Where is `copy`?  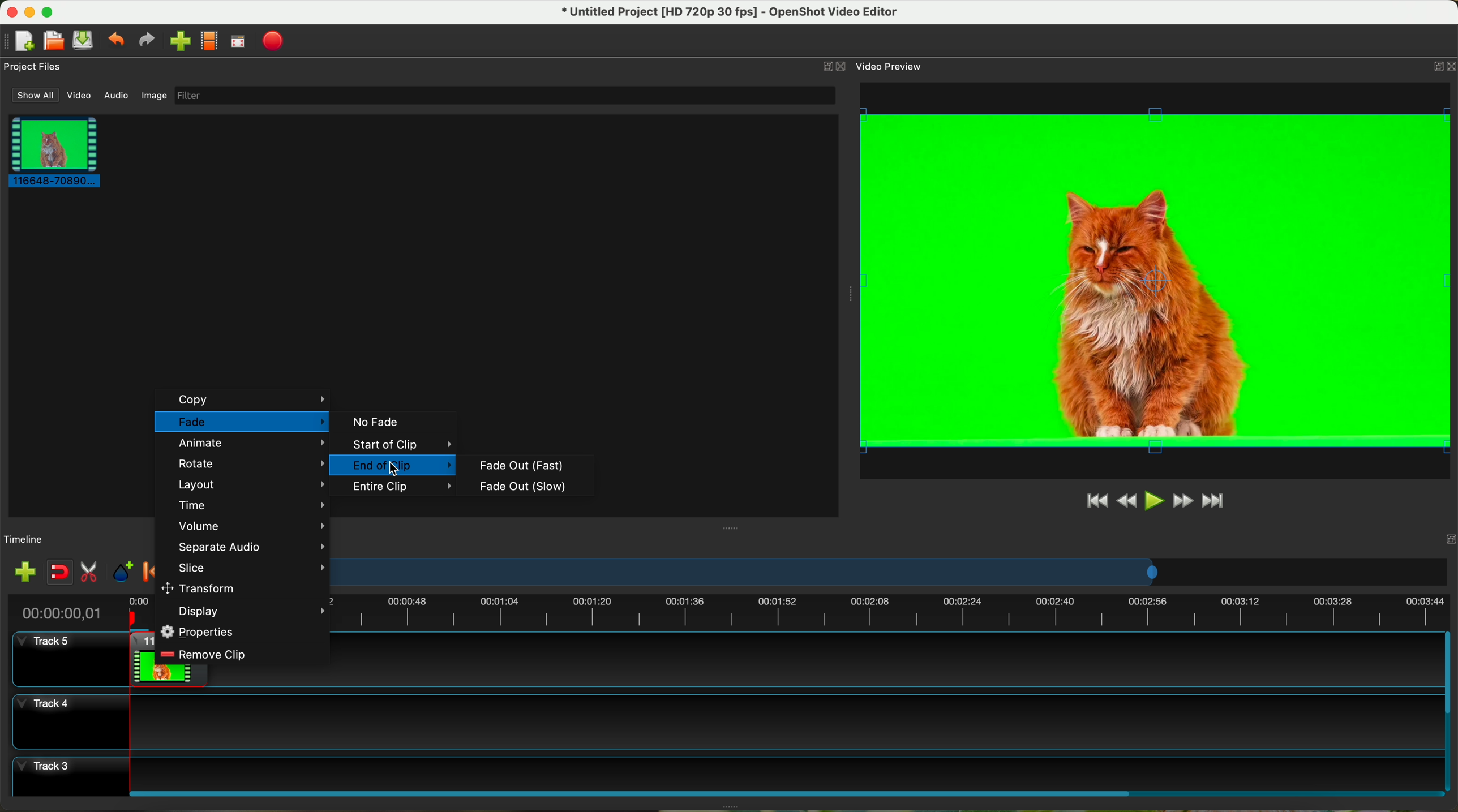 copy is located at coordinates (244, 399).